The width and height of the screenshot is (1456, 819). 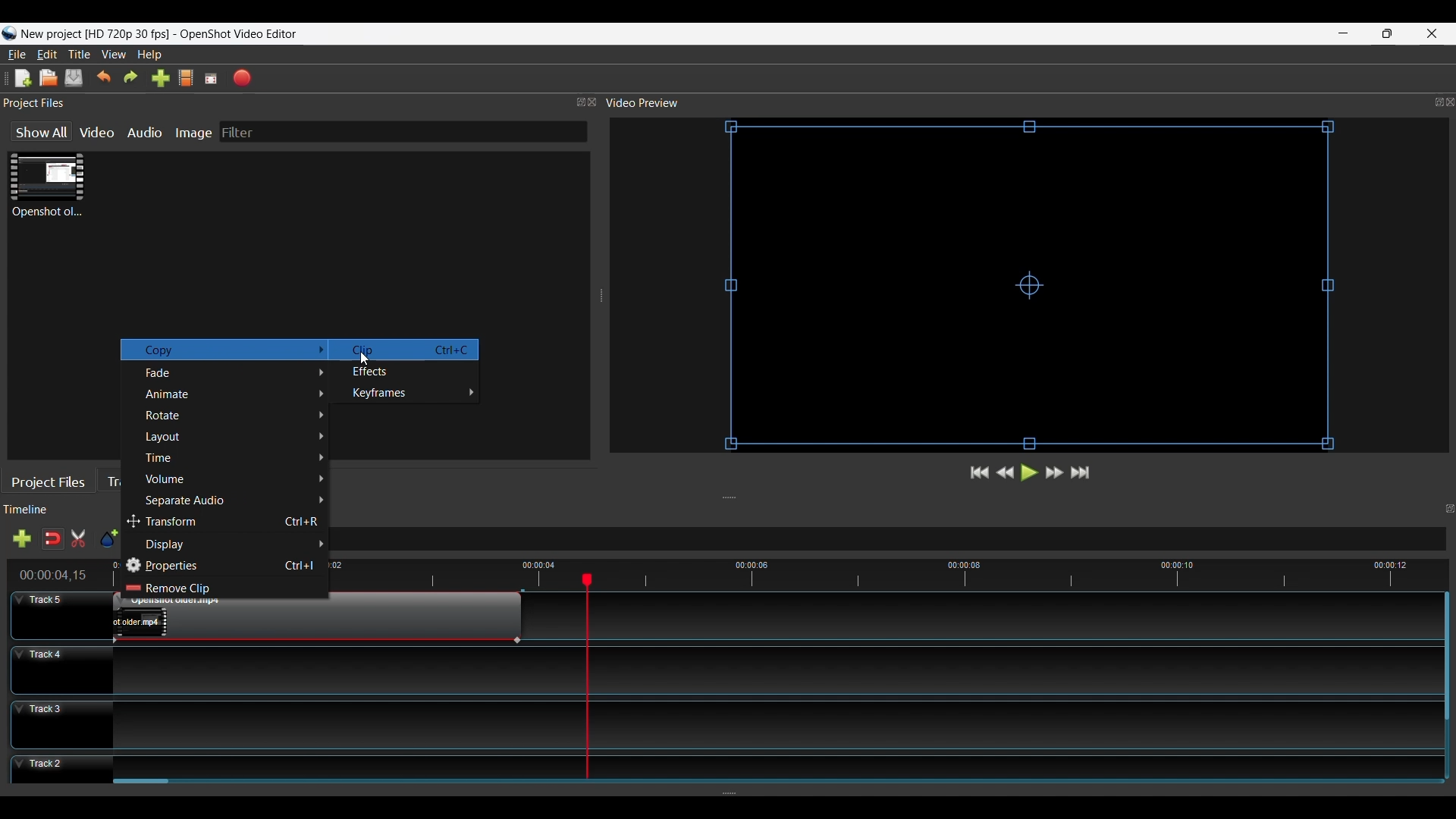 I want to click on Track Panel, so click(x=770, y=669).